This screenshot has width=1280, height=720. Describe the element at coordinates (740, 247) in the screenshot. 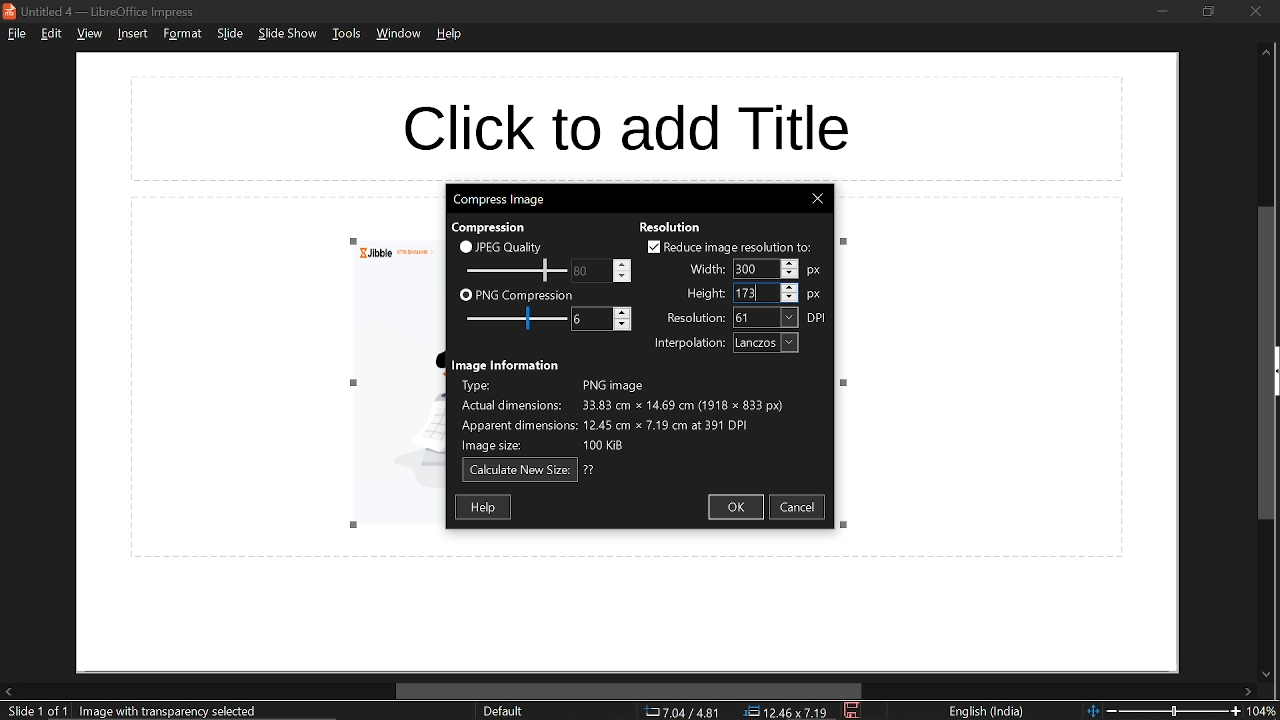

I see `reduce image resolution` at that location.